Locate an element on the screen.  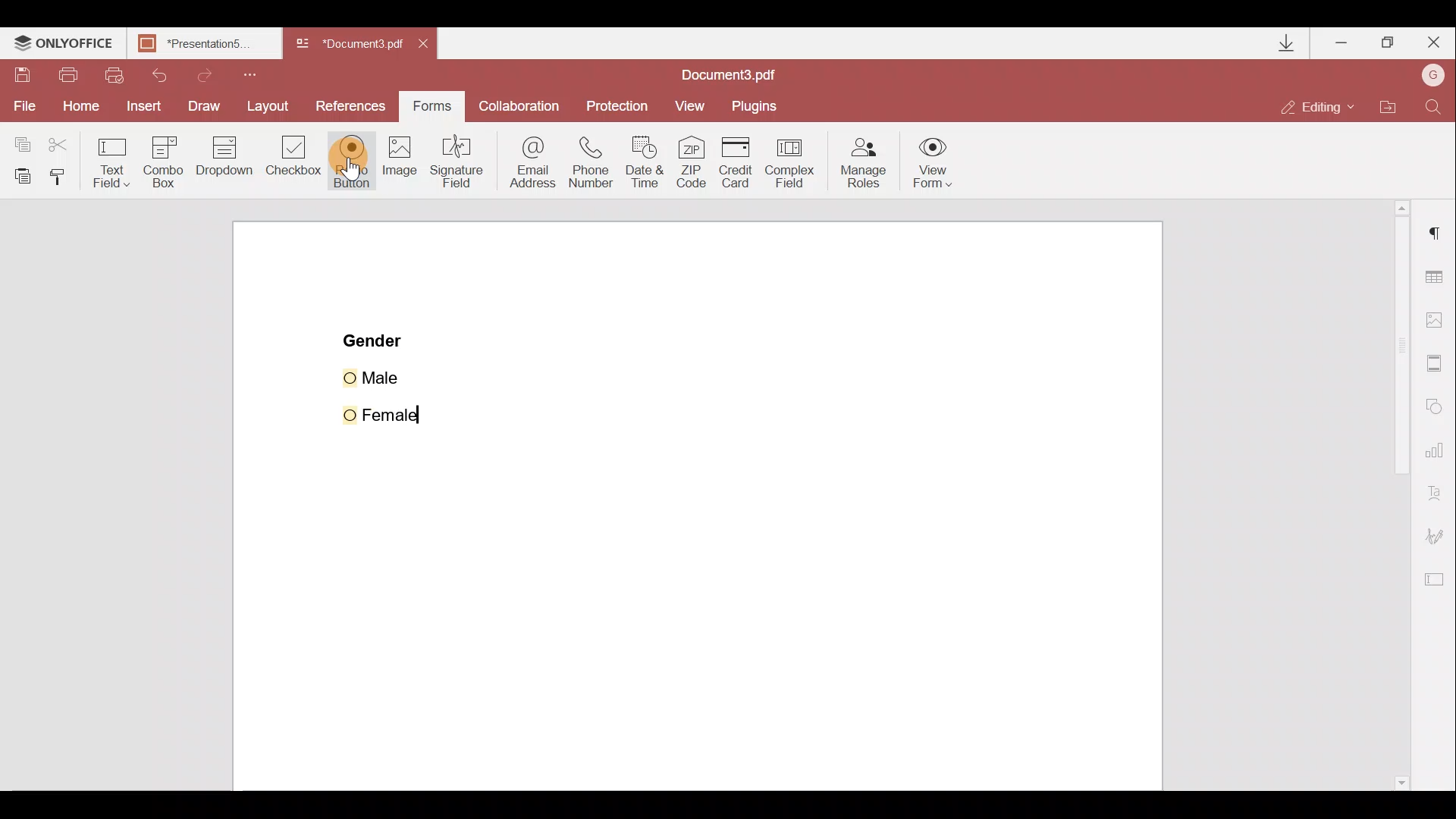
Layout is located at coordinates (271, 108).